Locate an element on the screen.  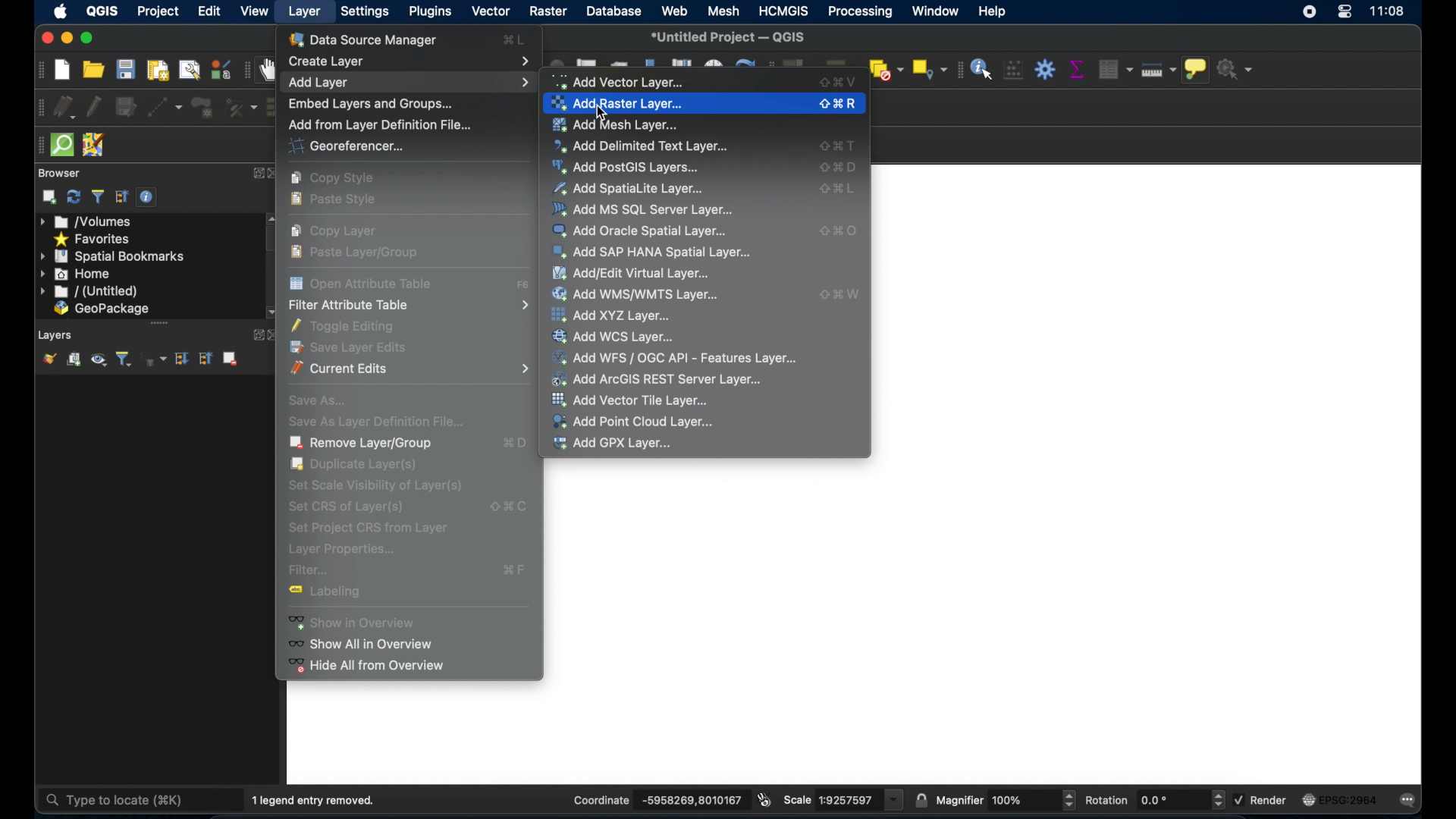
dropdown is located at coordinates (895, 800).